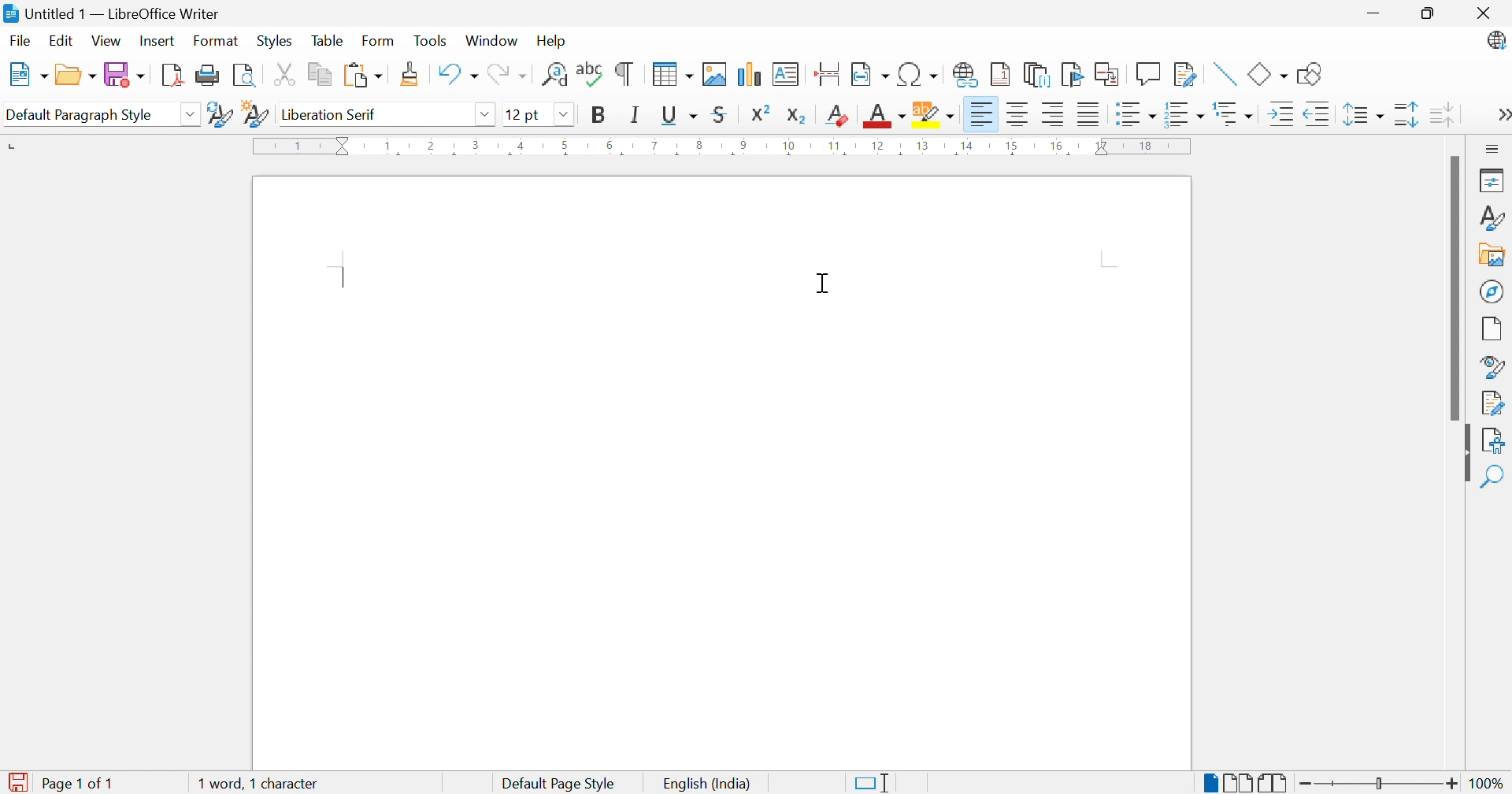 The height and width of the screenshot is (794, 1512). I want to click on Close, so click(1483, 13).